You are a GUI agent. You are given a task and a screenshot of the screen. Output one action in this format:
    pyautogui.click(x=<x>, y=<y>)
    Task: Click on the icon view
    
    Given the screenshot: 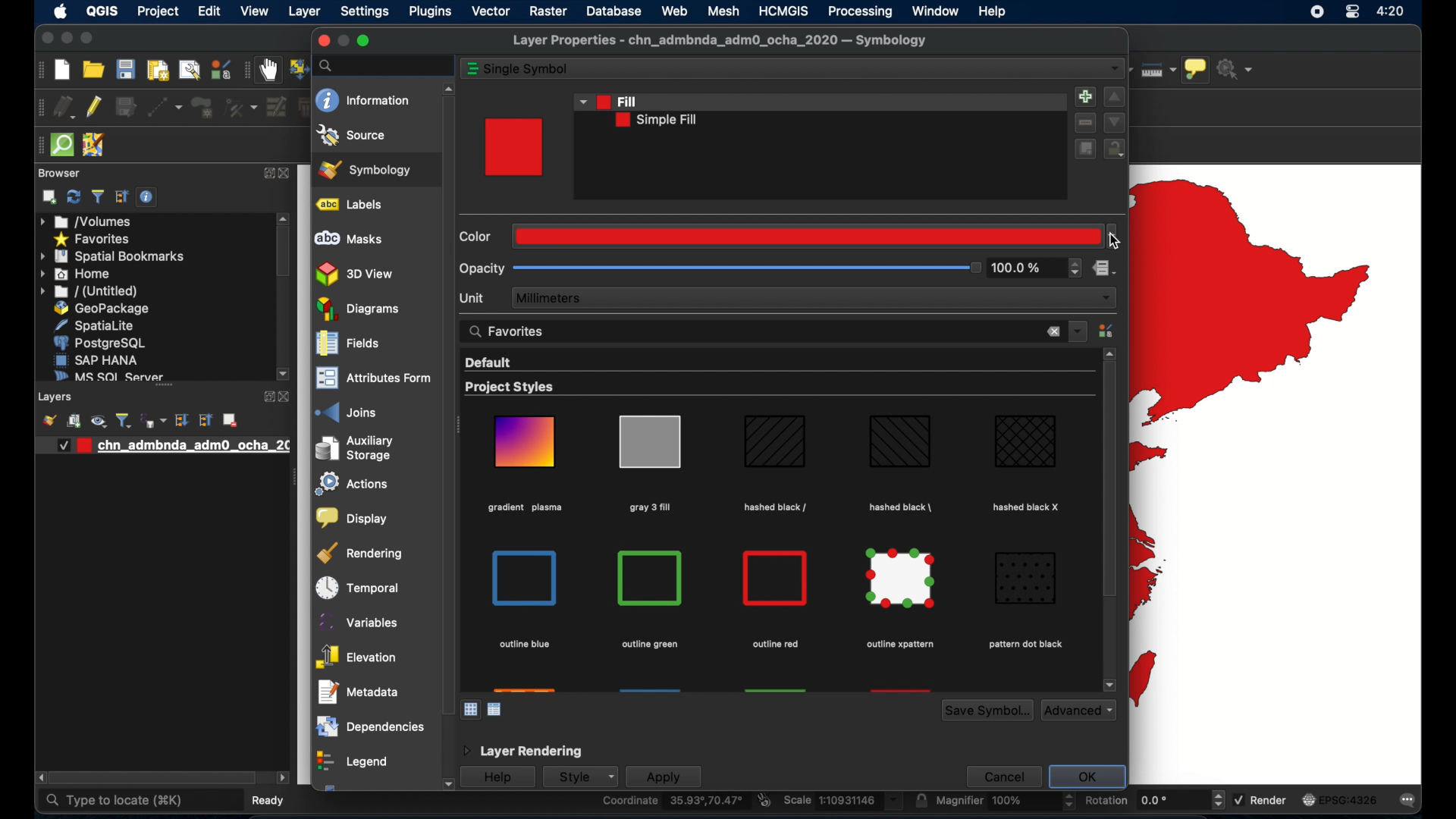 What is the action you would take?
    pyautogui.click(x=471, y=708)
    